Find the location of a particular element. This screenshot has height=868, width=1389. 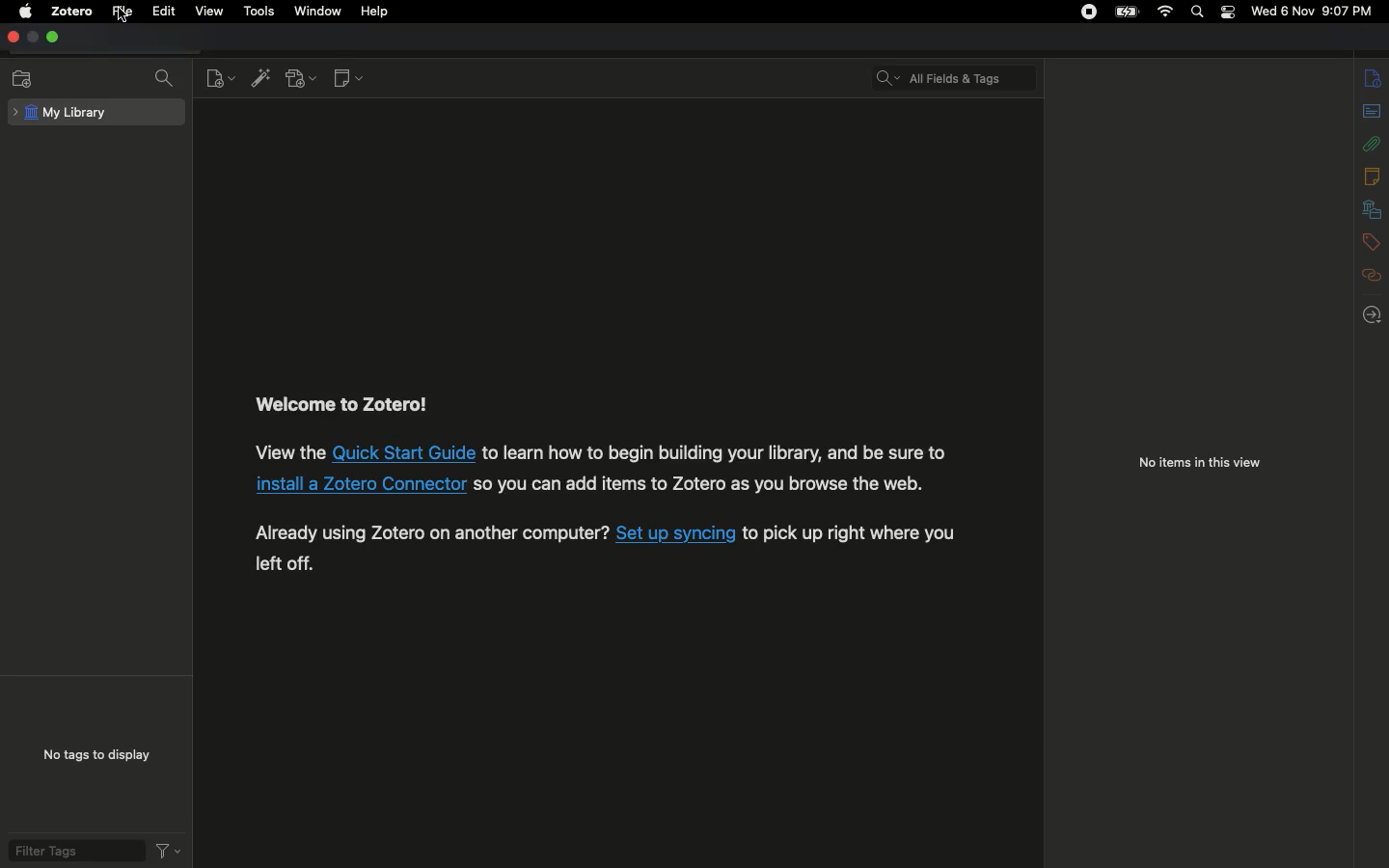

Tools is located at coordinates (261, 13).